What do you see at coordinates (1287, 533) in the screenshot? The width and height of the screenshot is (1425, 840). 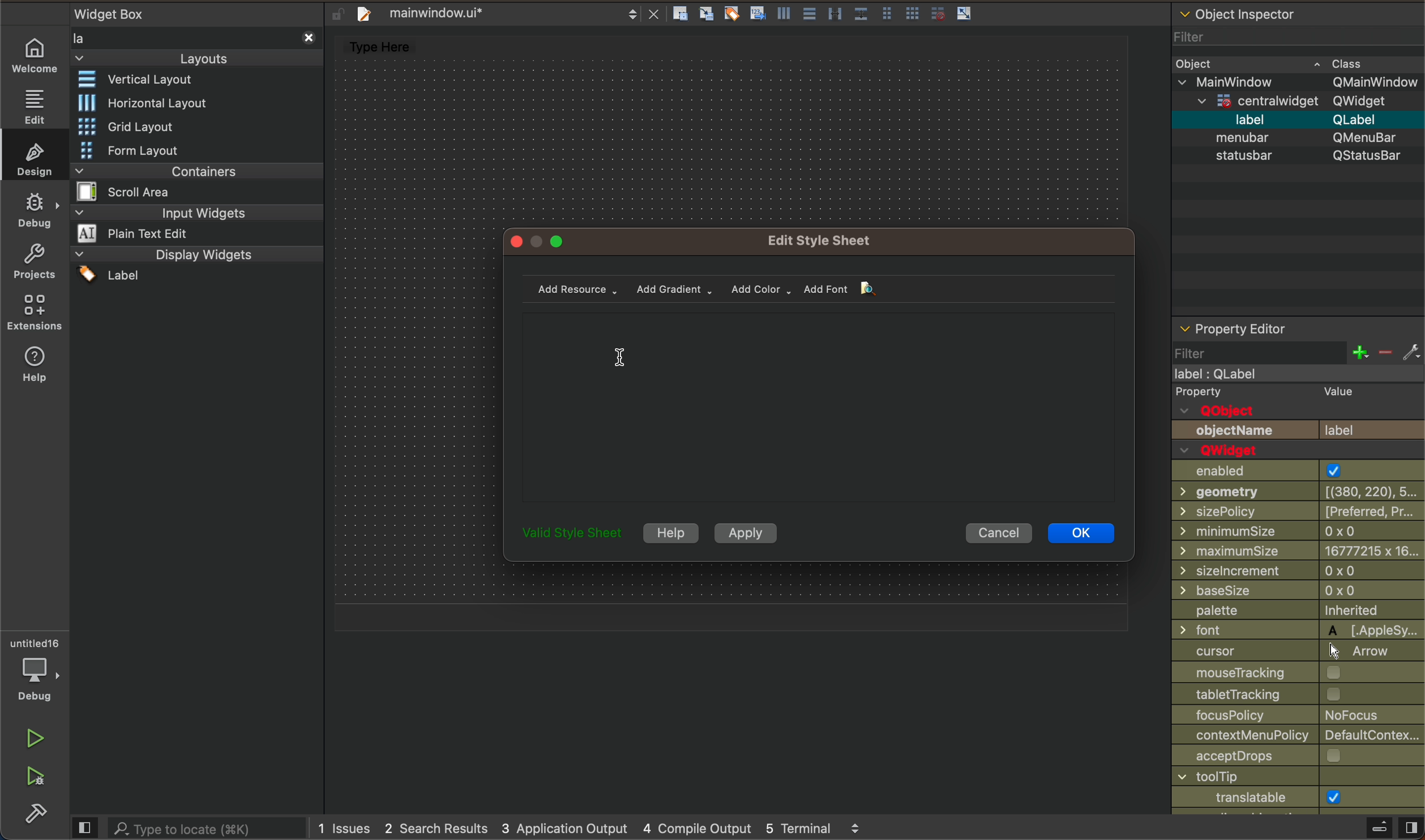 I see `size` at bounding box center [1287, 533].